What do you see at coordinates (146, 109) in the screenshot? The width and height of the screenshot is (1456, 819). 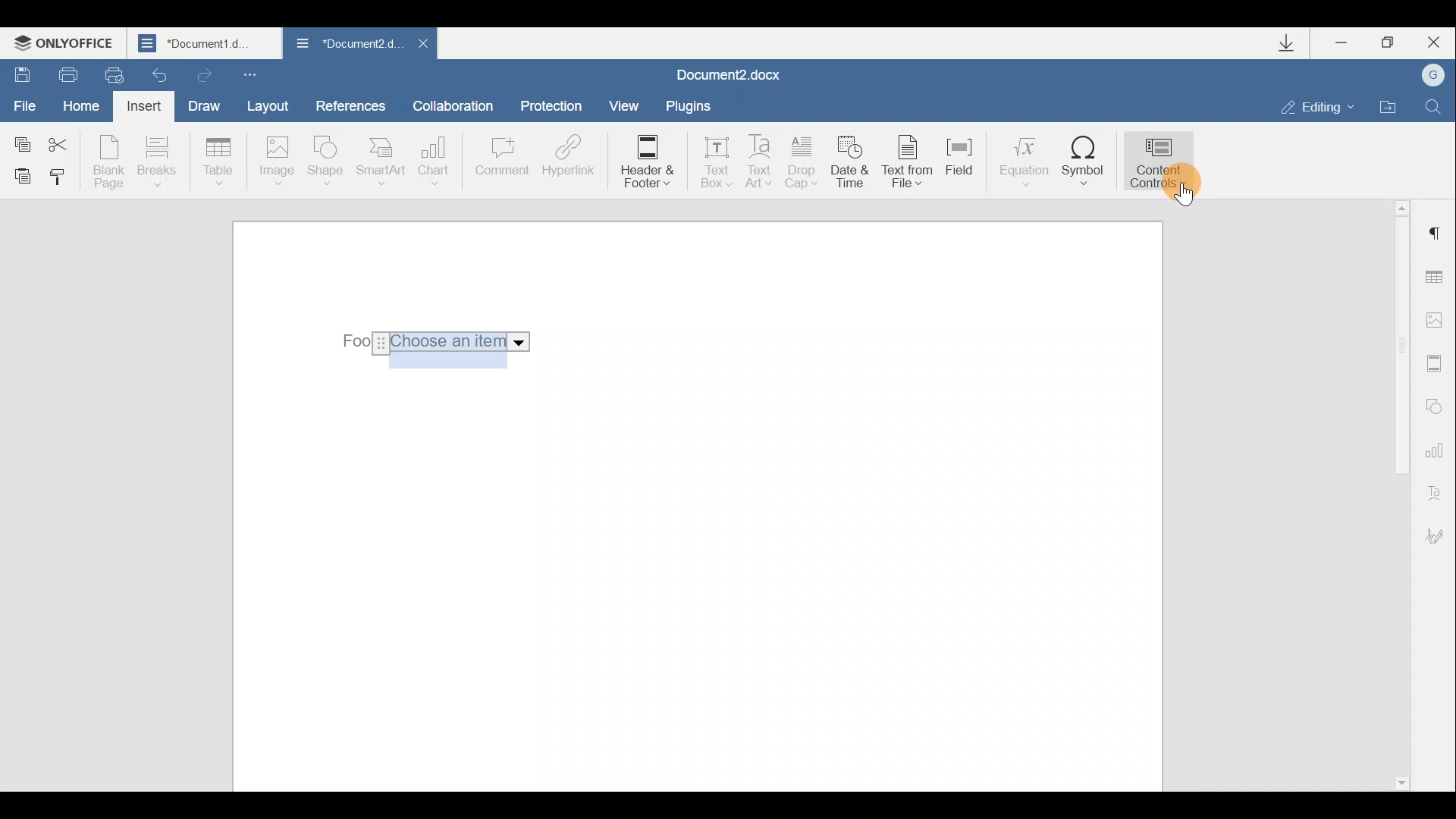 I see `Insert` at bounding box center [146, 109].